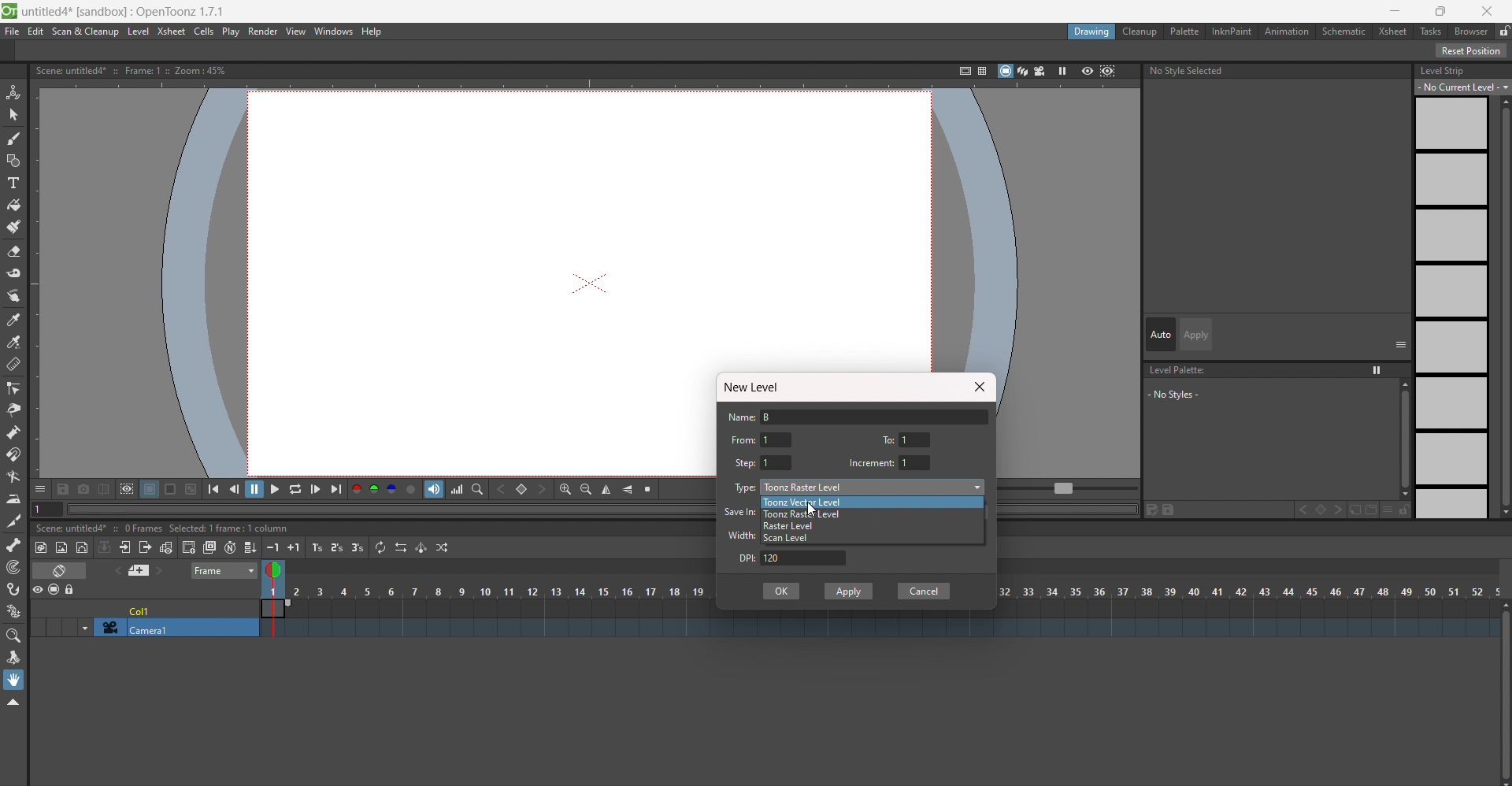 The width and height of the screenshot is (1512, 786). Describe the element at coordinates (1320, 510) in the screenshot. I see `set key` at that location.